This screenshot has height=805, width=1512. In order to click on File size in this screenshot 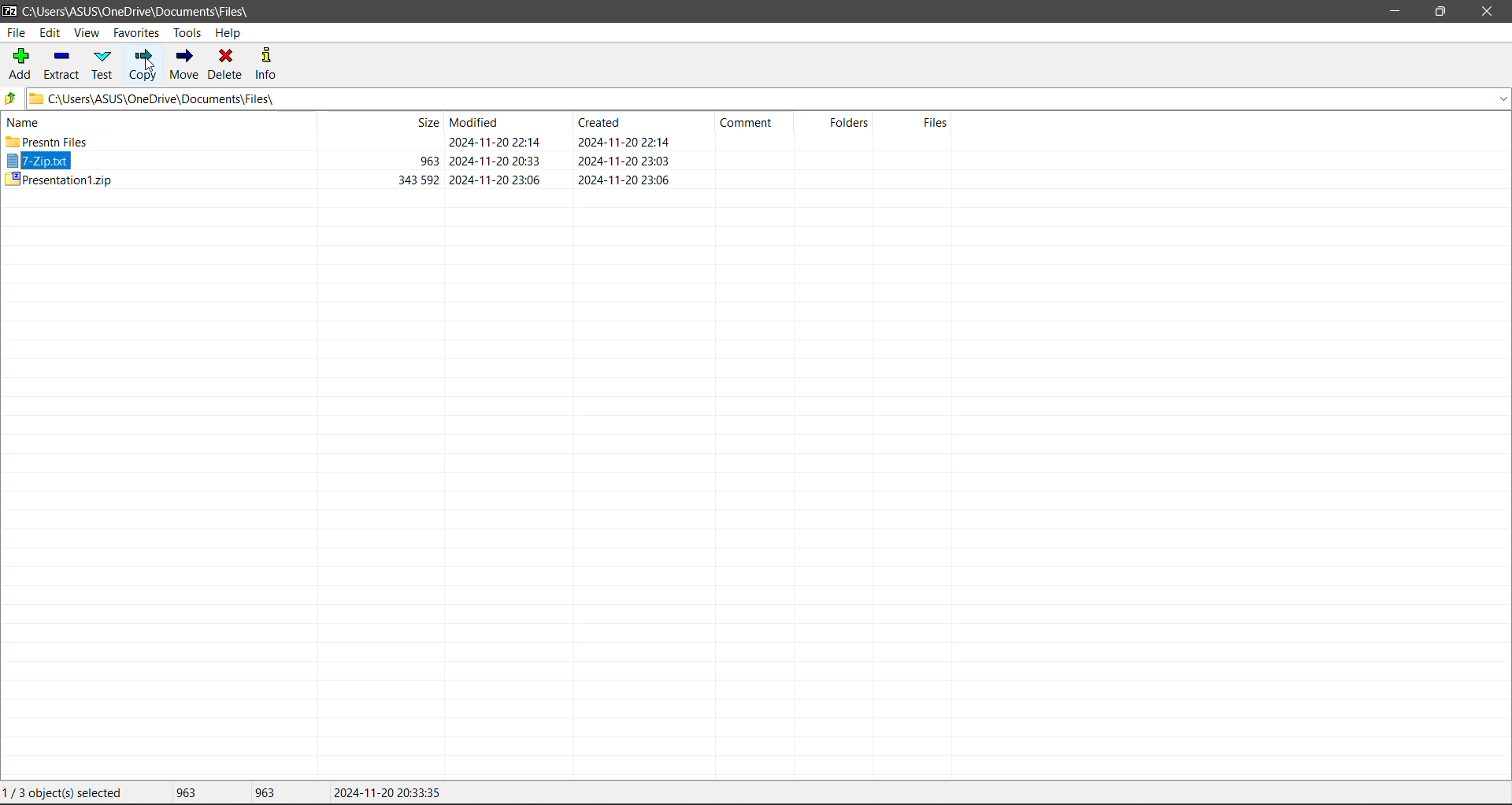, I will do `click(390, 152)`.